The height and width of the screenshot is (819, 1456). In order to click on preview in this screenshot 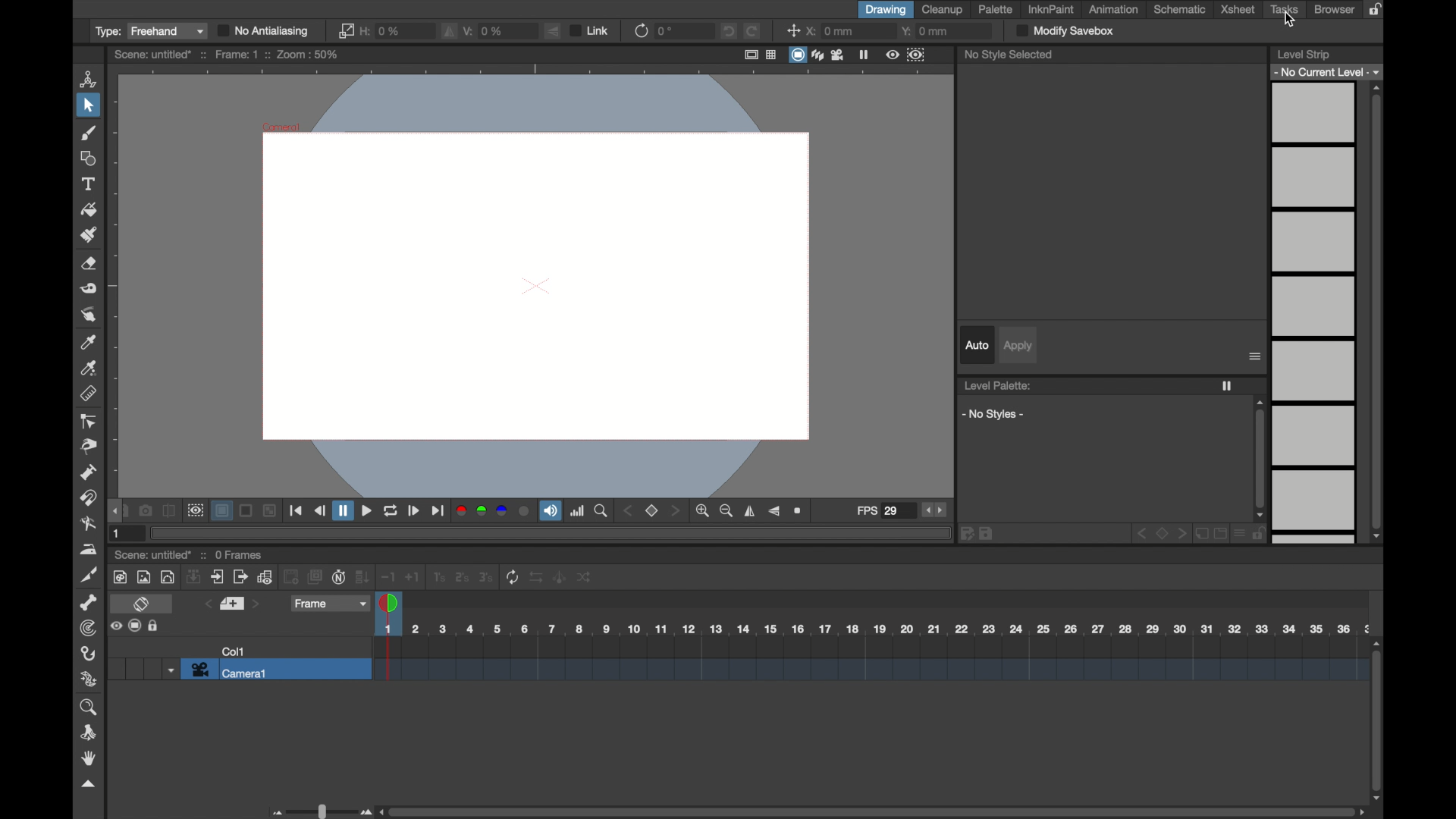, I will do `click(195, 510)`.